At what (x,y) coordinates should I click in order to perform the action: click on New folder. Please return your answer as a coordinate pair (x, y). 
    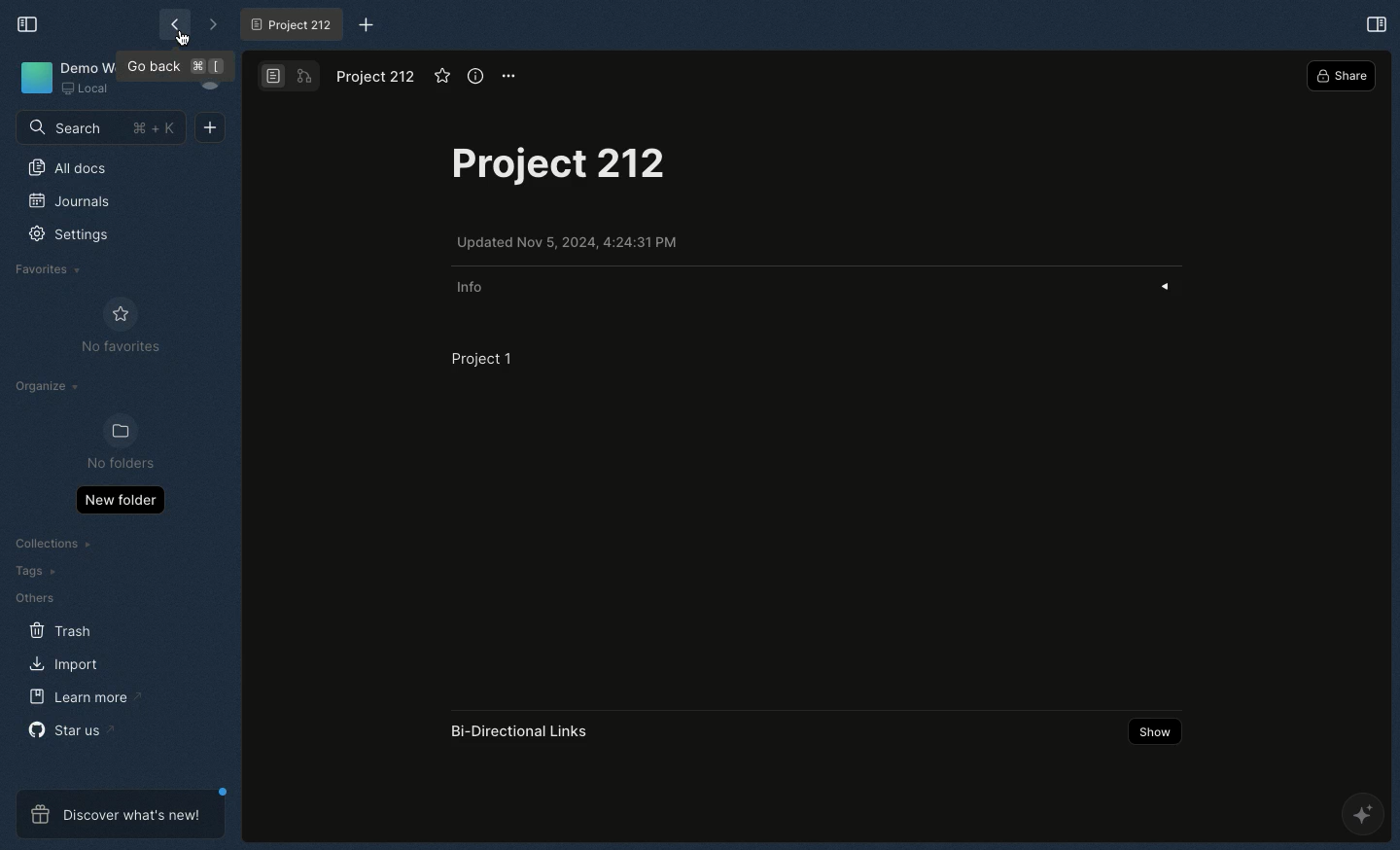
    Looking at the image, I should click on (118, 502).